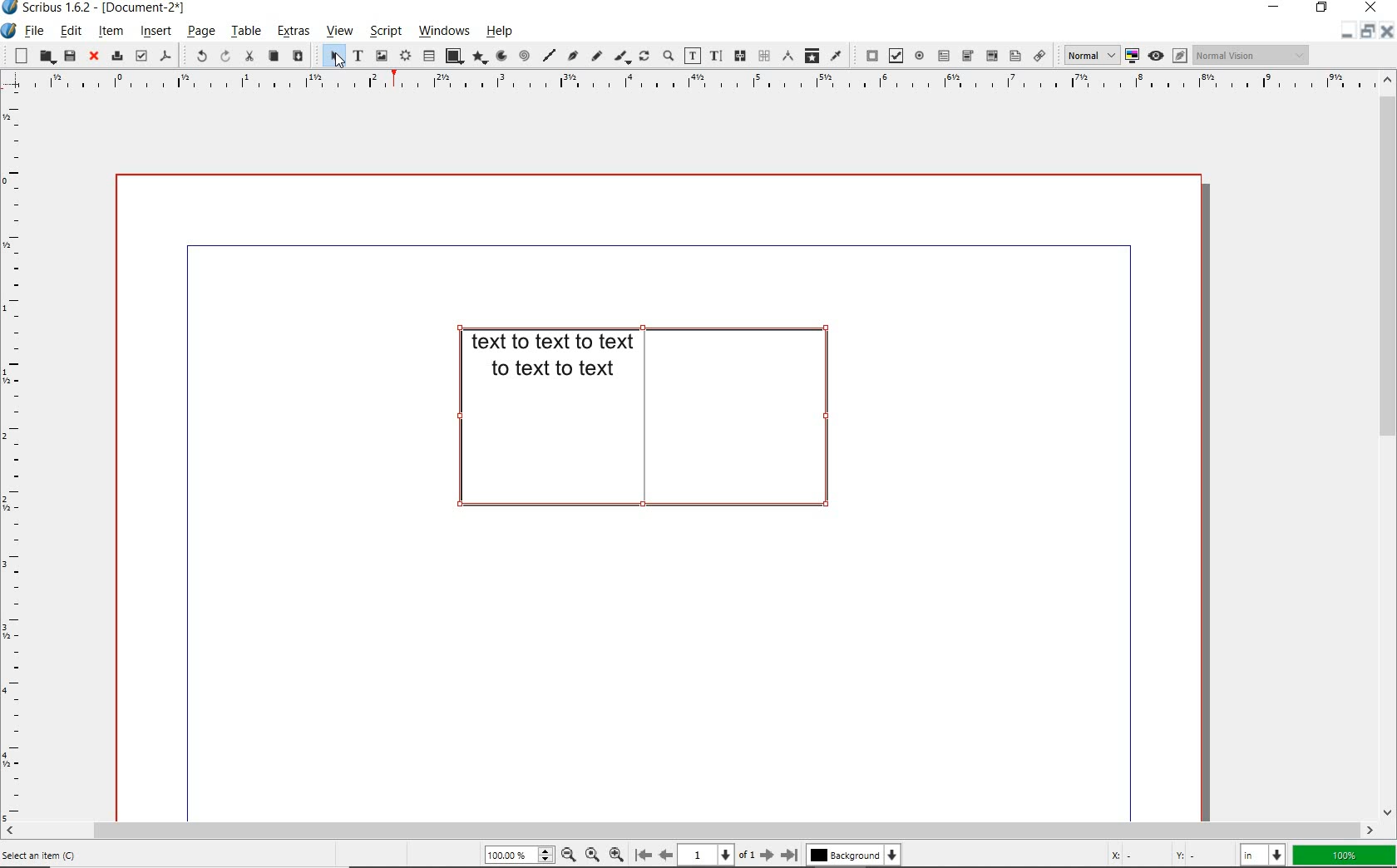 This screenshot has width=1397, height=868. I want to click on copy item properties, so click(811, 55).